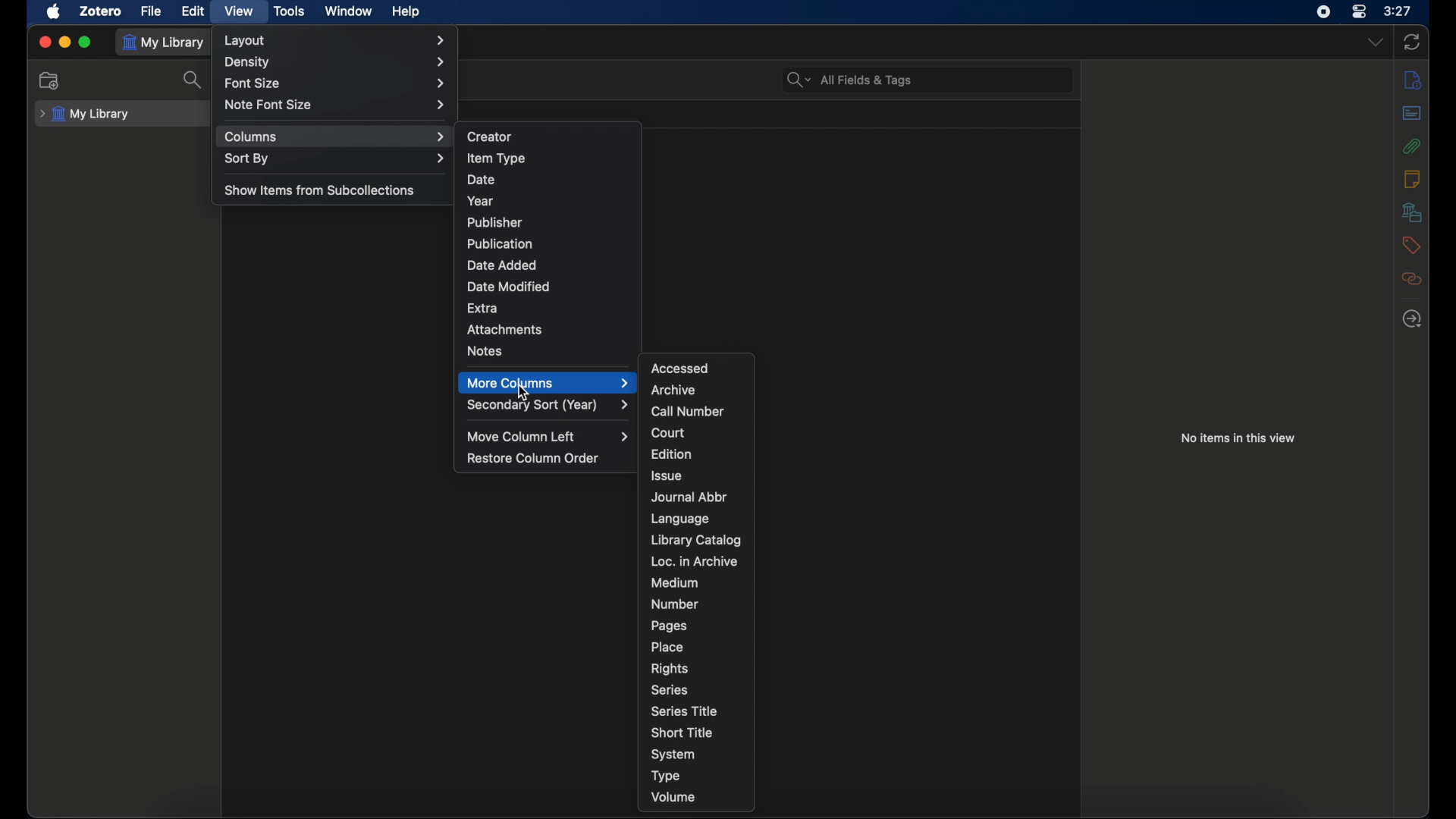 The width and height of the screenshot is (1456, 819). I want to click on related, so click(1412, 278).